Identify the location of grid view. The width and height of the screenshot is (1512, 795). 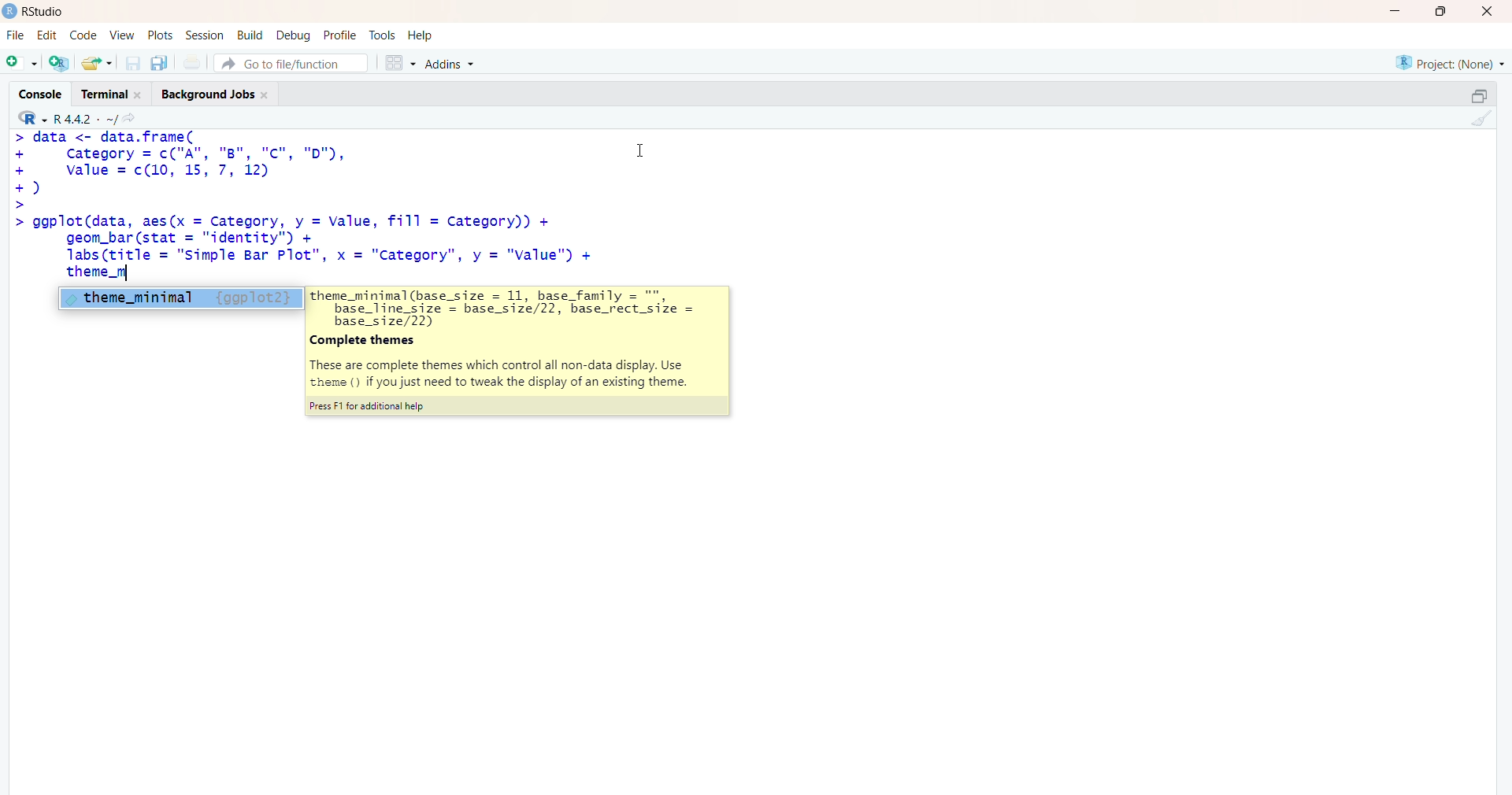
(399, 62).